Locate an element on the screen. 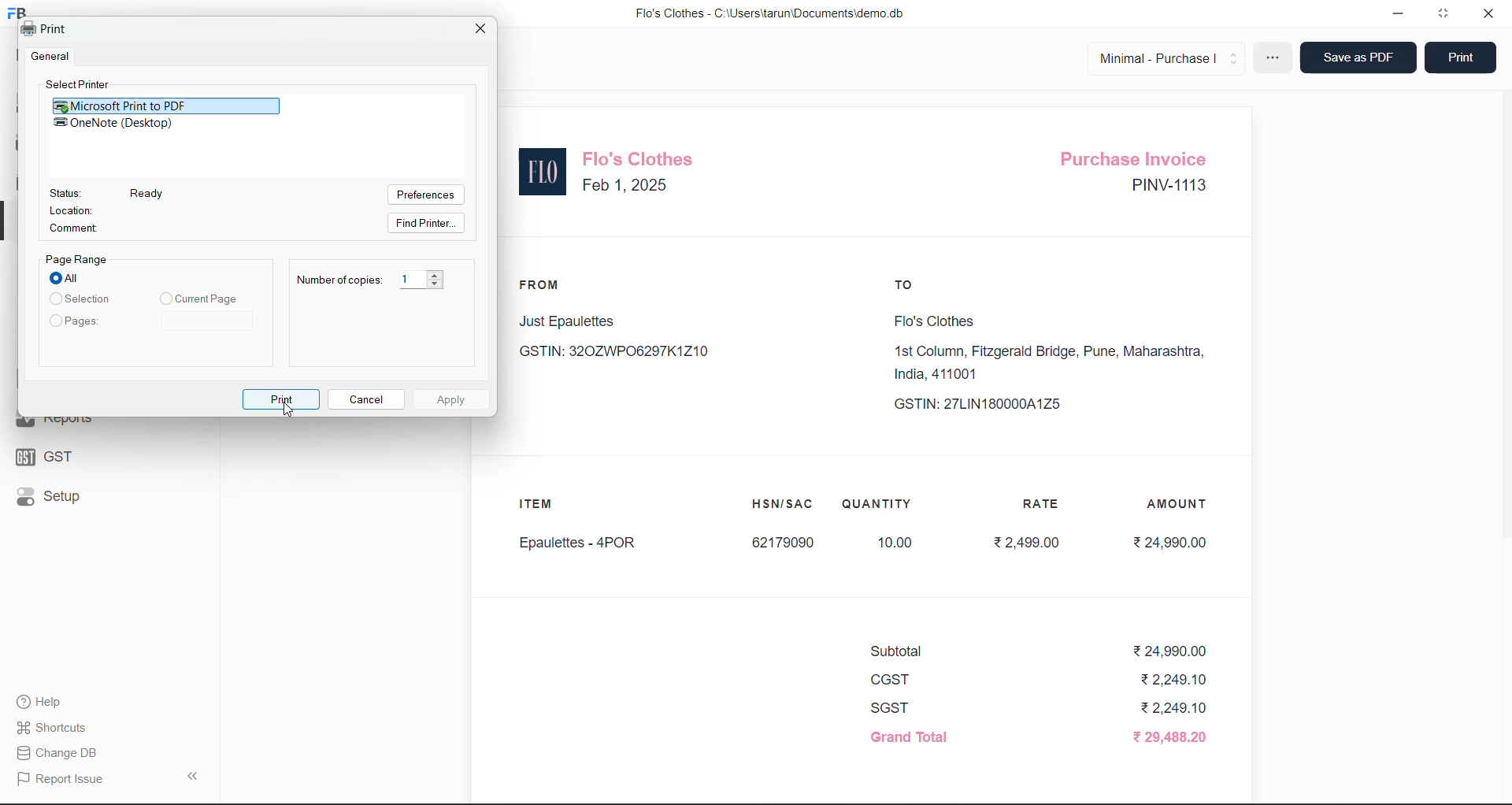  10.00 is located at coordinates (897, 542).